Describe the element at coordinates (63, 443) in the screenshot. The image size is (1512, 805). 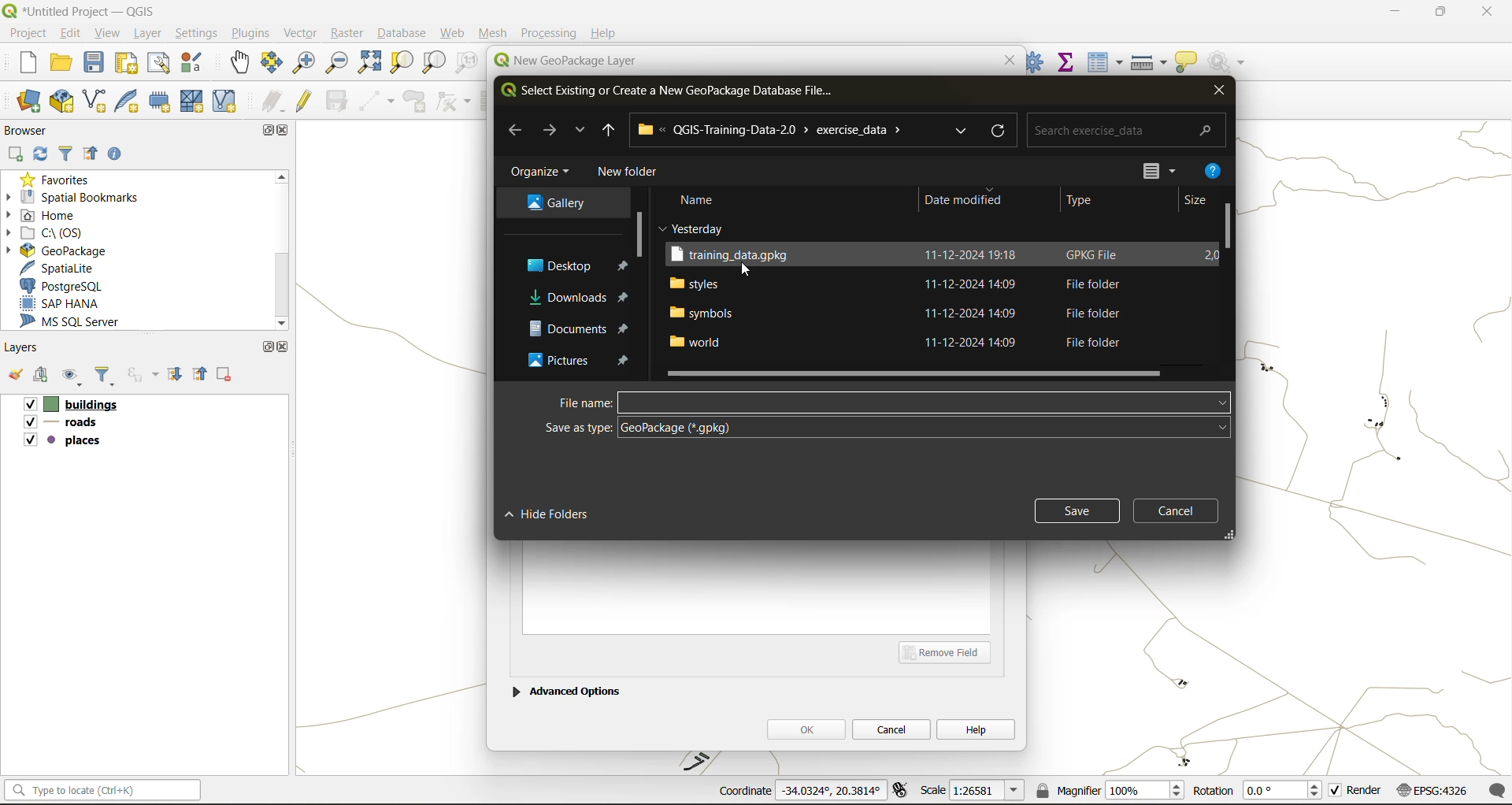
I see `places` at that location.